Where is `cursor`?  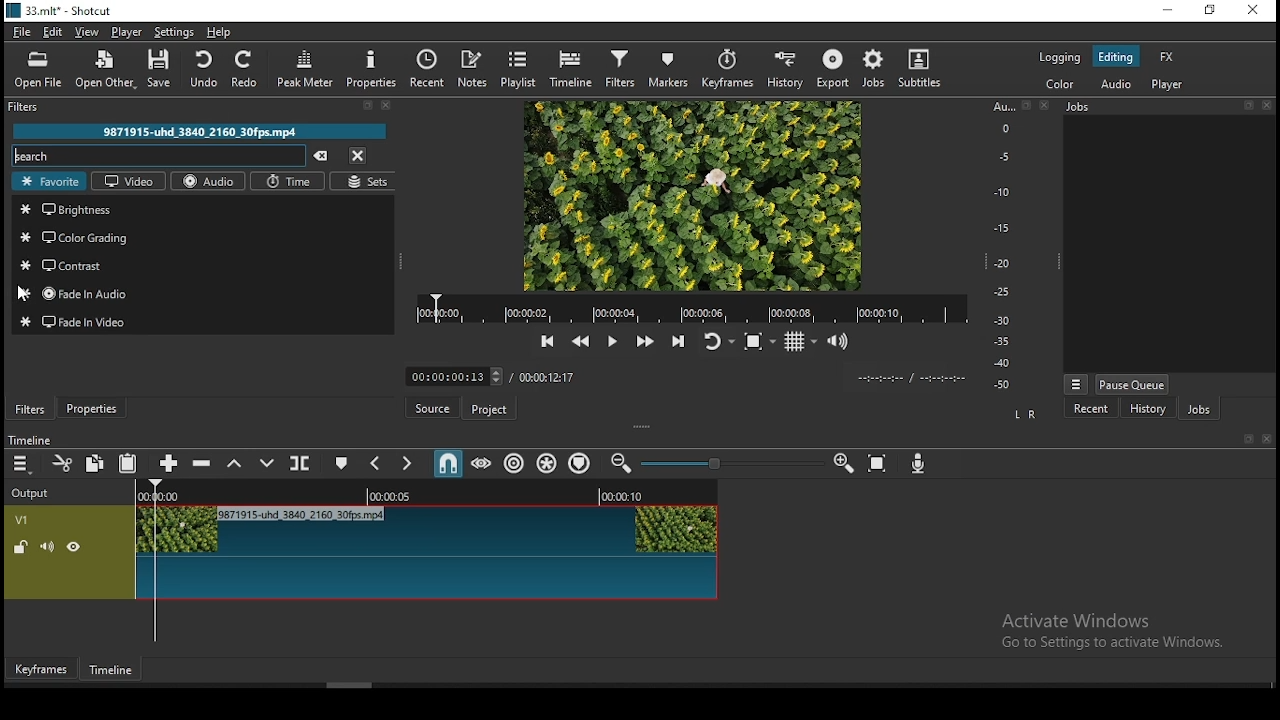
cursor is located at coordinates (25, 295).